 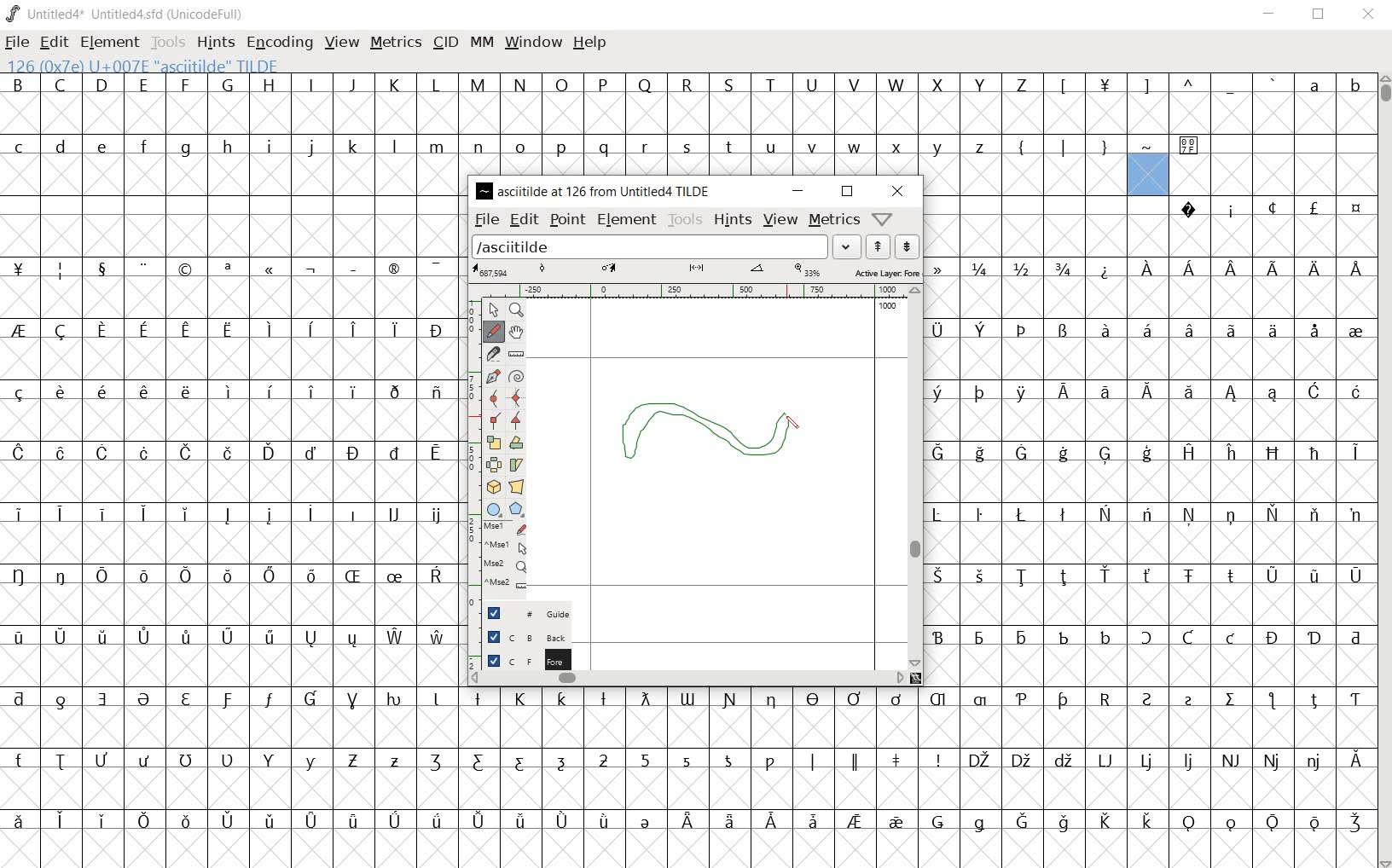 What do you see at coordinates (519, 310) in the screenshot?
I see `magnify` at bounding box center [519, 310].